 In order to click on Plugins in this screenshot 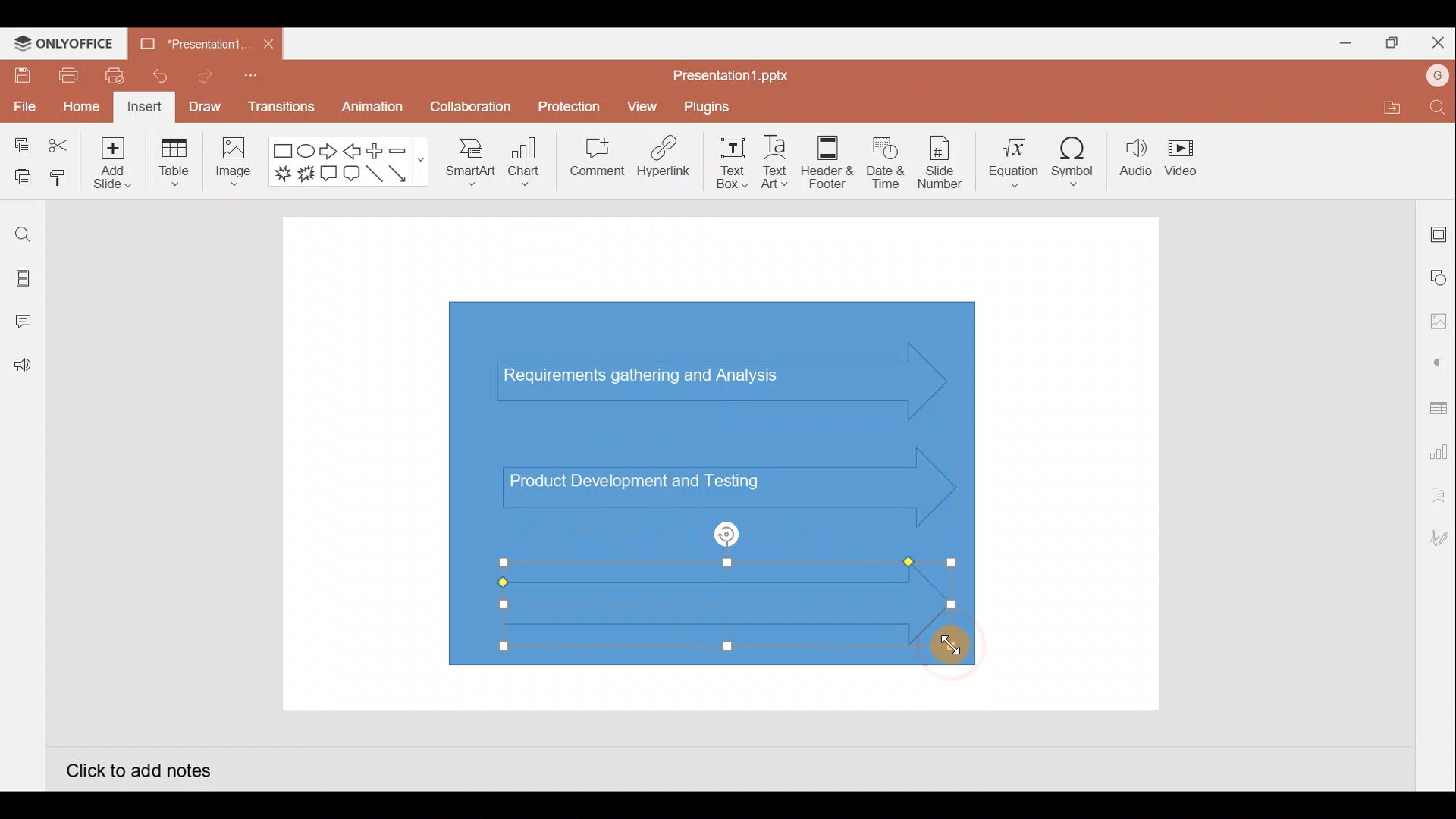, I will do `click(717, 105)`.